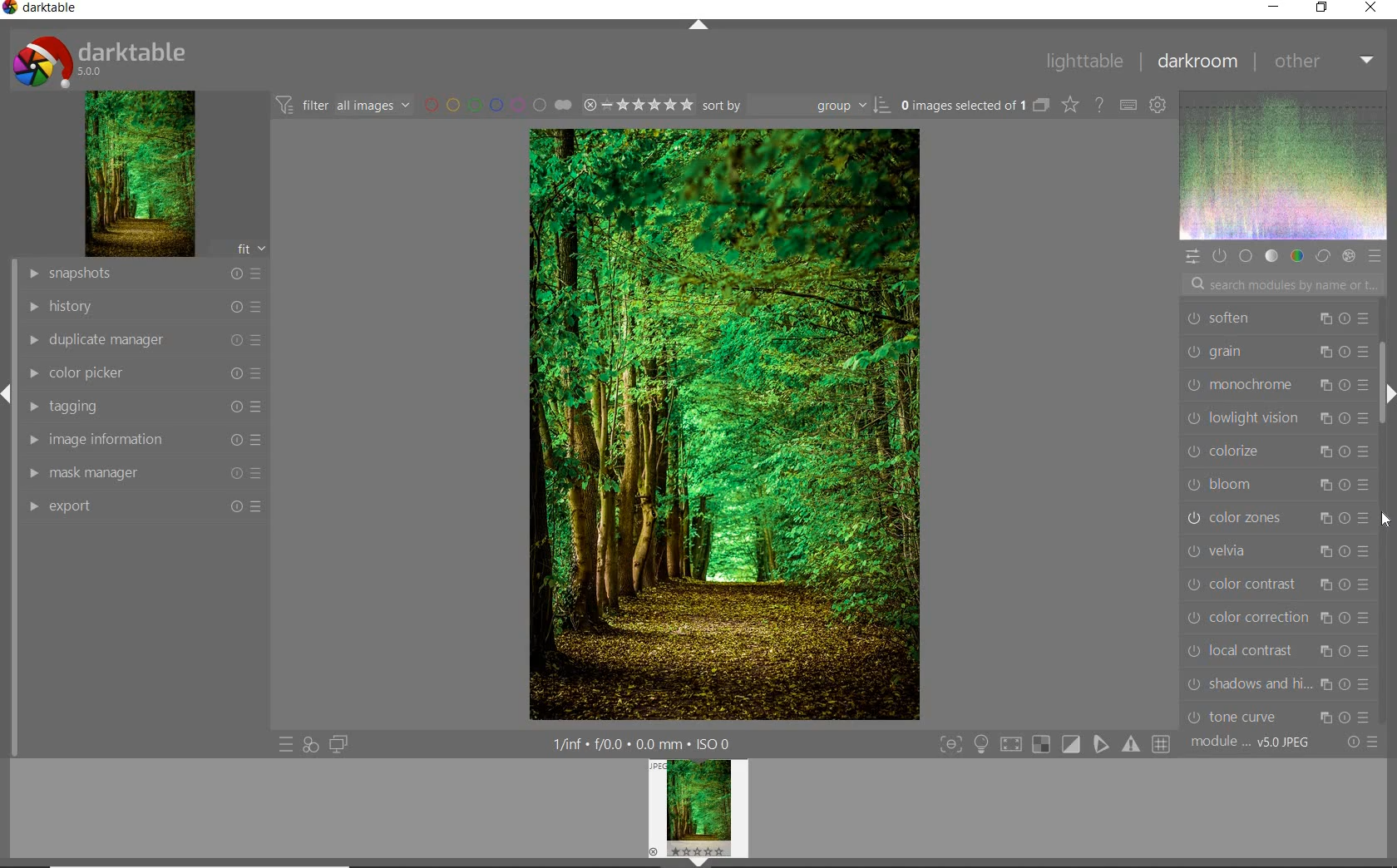 The image size is (1397, 868). Describe the element at coordinates (1363, 742) in the screenshot. I see `RESET OR PRESET & PREFERENCE` at that location.